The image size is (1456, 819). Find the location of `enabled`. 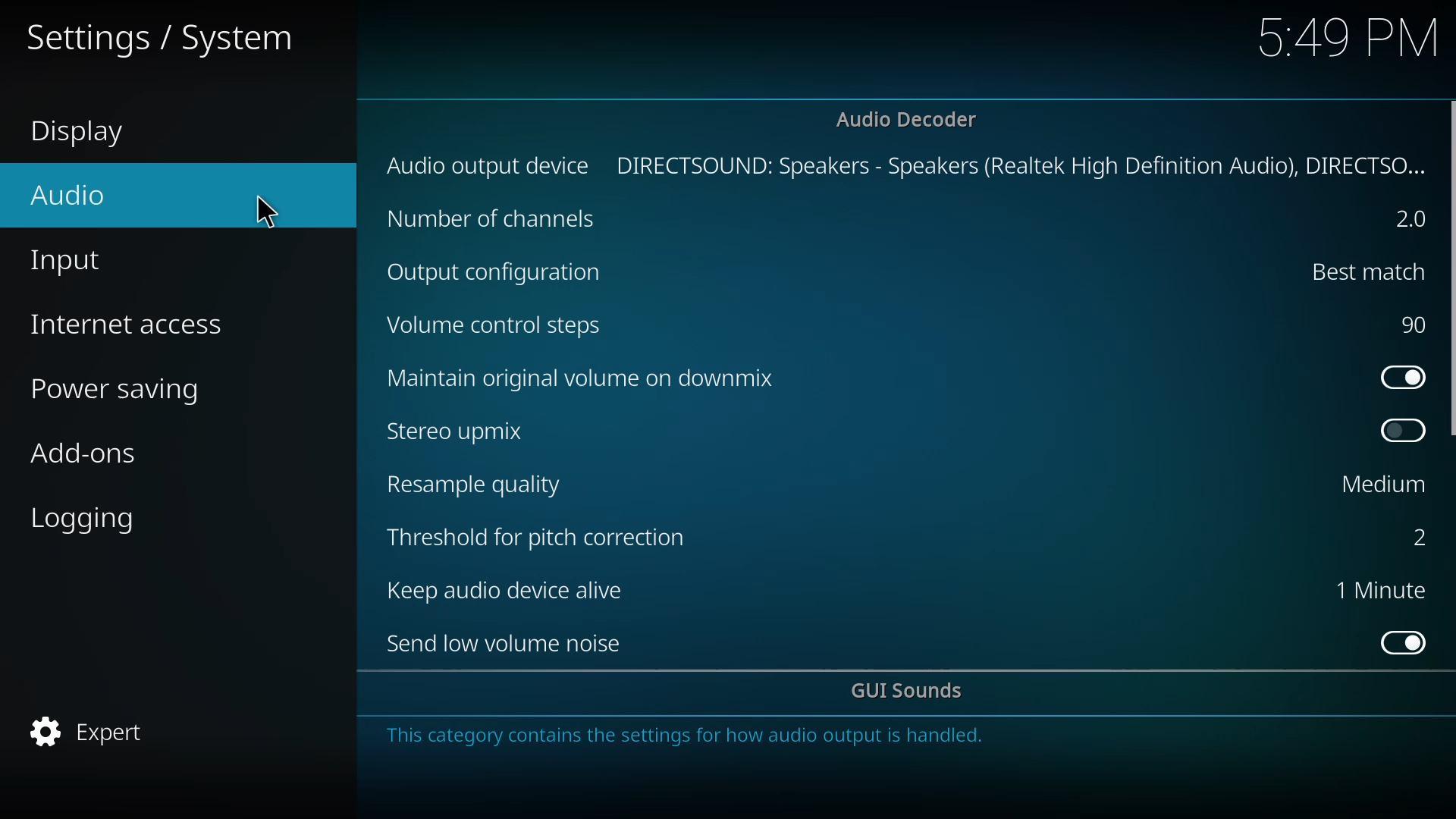

enabled is located at coordinates (1404, 641).